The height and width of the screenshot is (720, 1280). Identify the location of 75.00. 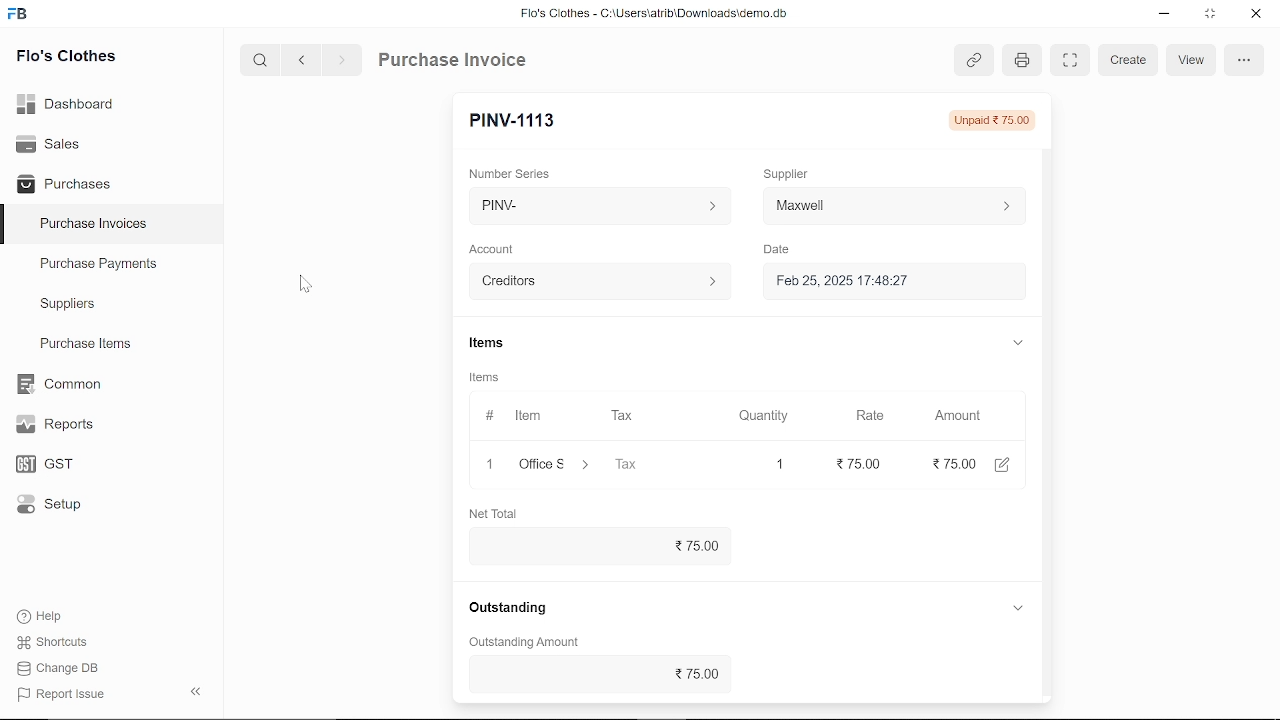
(594, 673).